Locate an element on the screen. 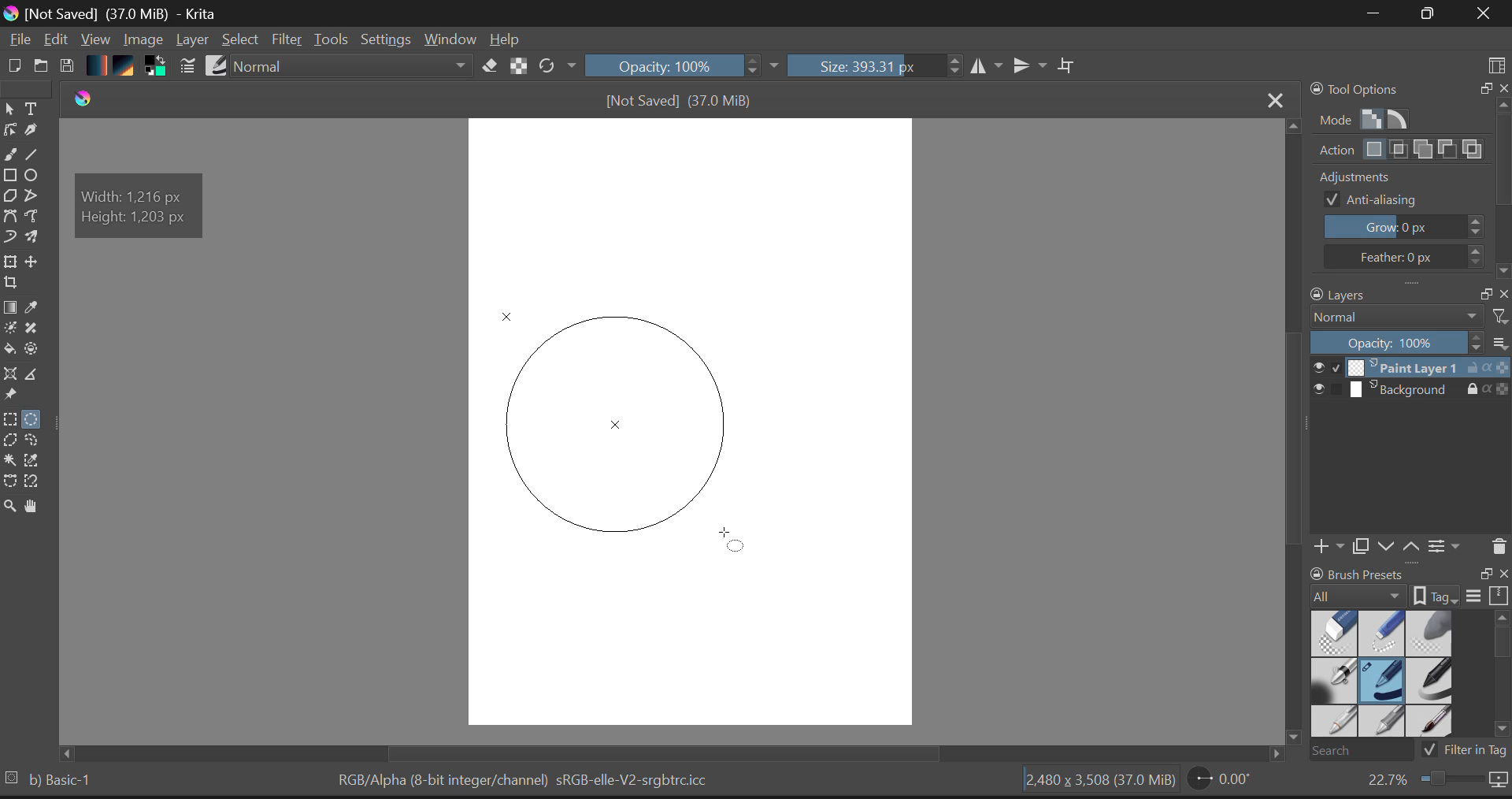  File is located at coordinates (19, 42).